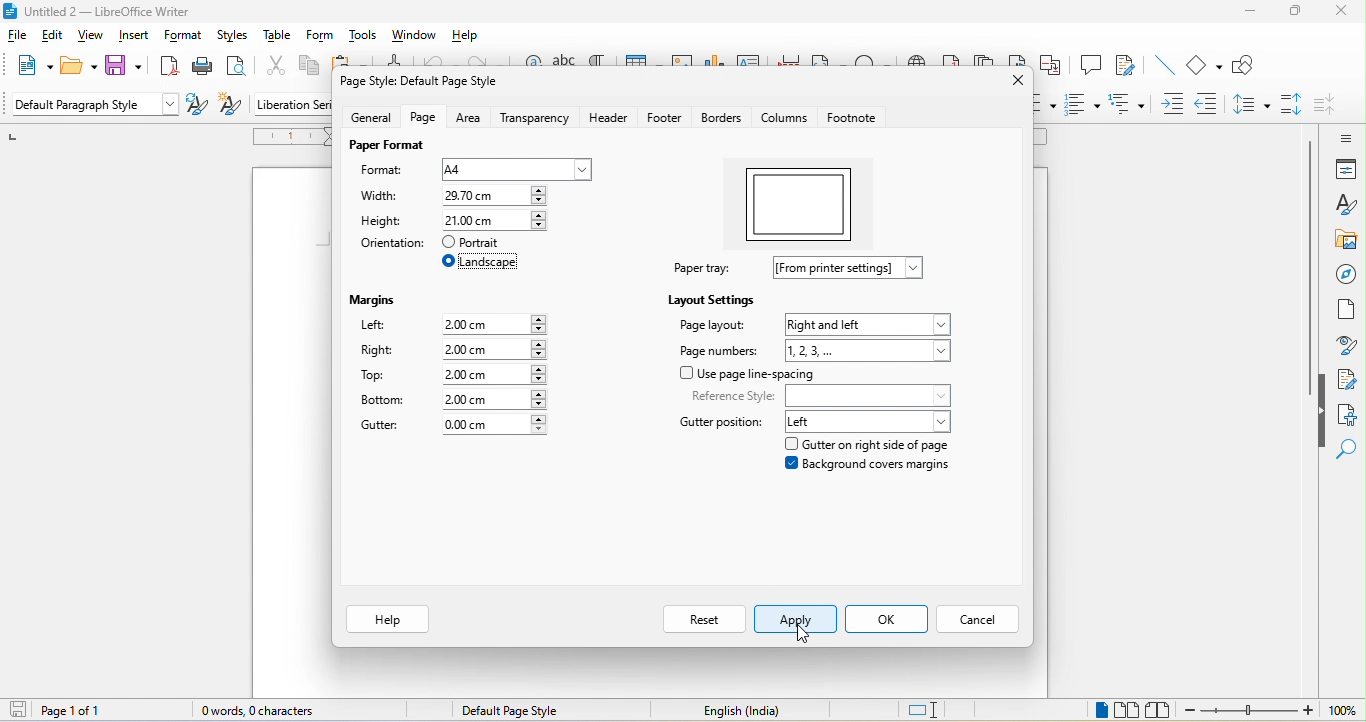  What do you see at coordinates (1175, 104) in the screenshot?
I see `increase indent` at bounding box center [1175, 104].